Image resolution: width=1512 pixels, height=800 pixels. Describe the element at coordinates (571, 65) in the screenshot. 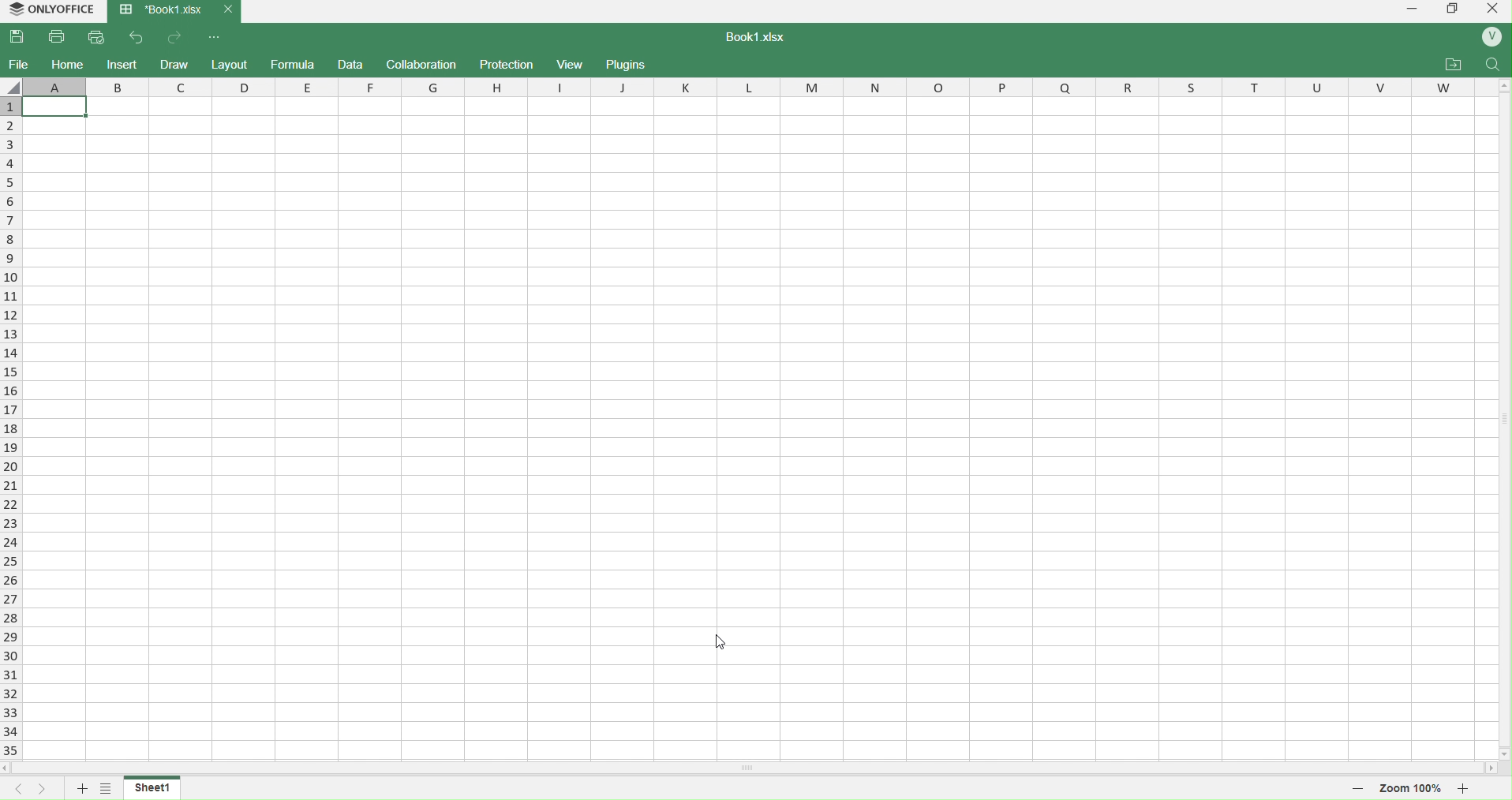

I see `view` at that location.